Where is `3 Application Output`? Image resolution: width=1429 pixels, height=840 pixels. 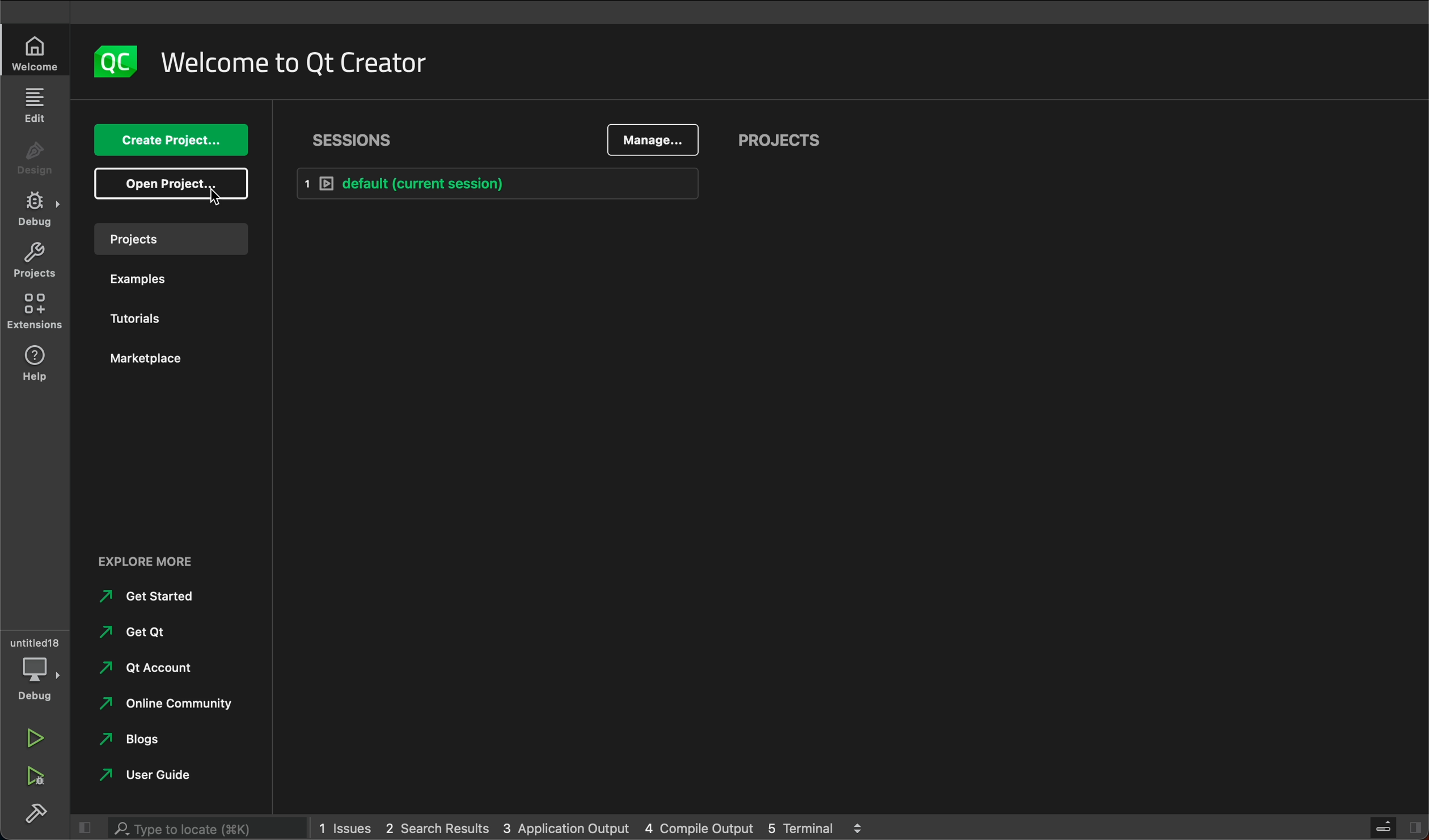 3 Application Output is located at coordinates (563, 828).